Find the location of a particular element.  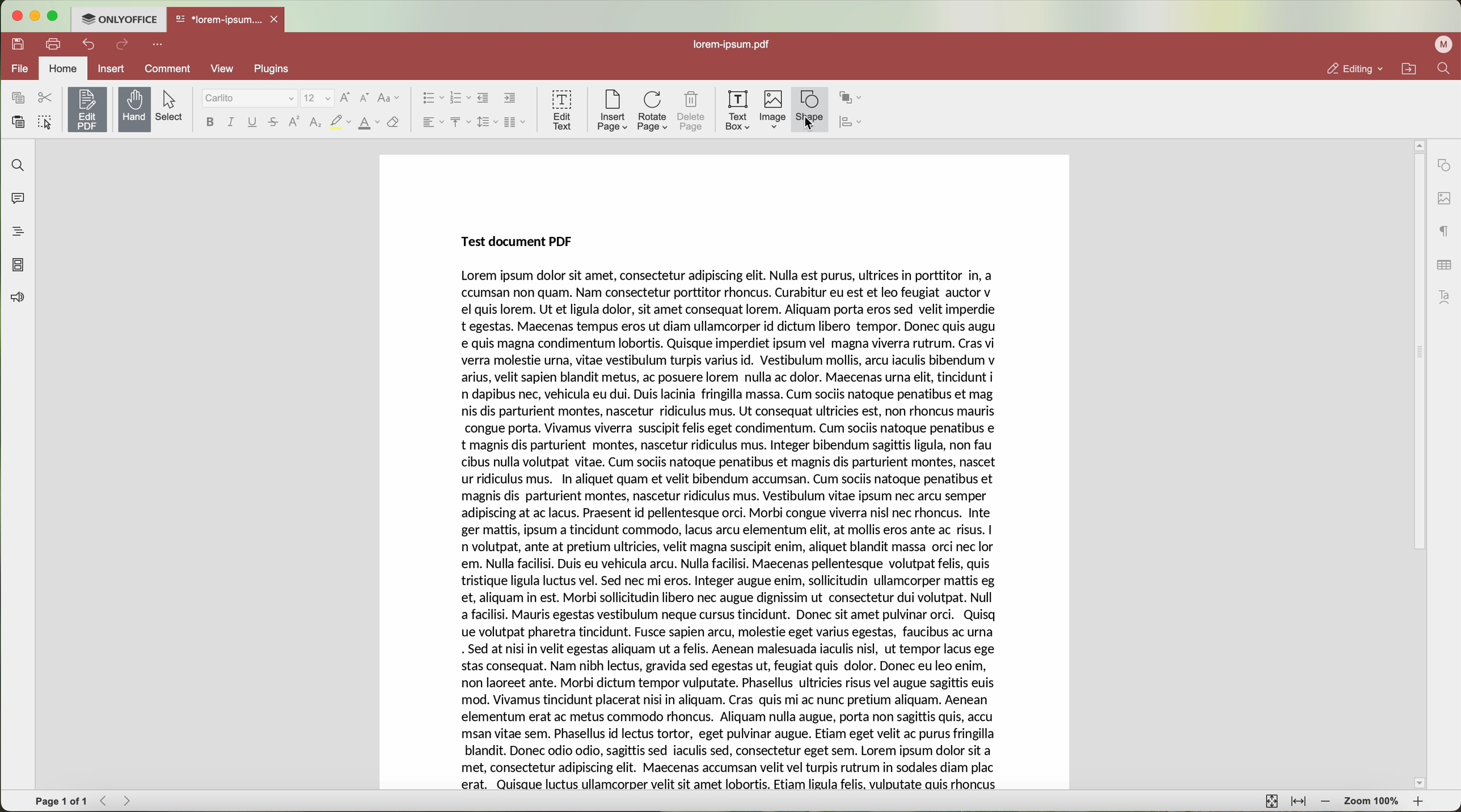

plugins is located at coordinates (285, 69).